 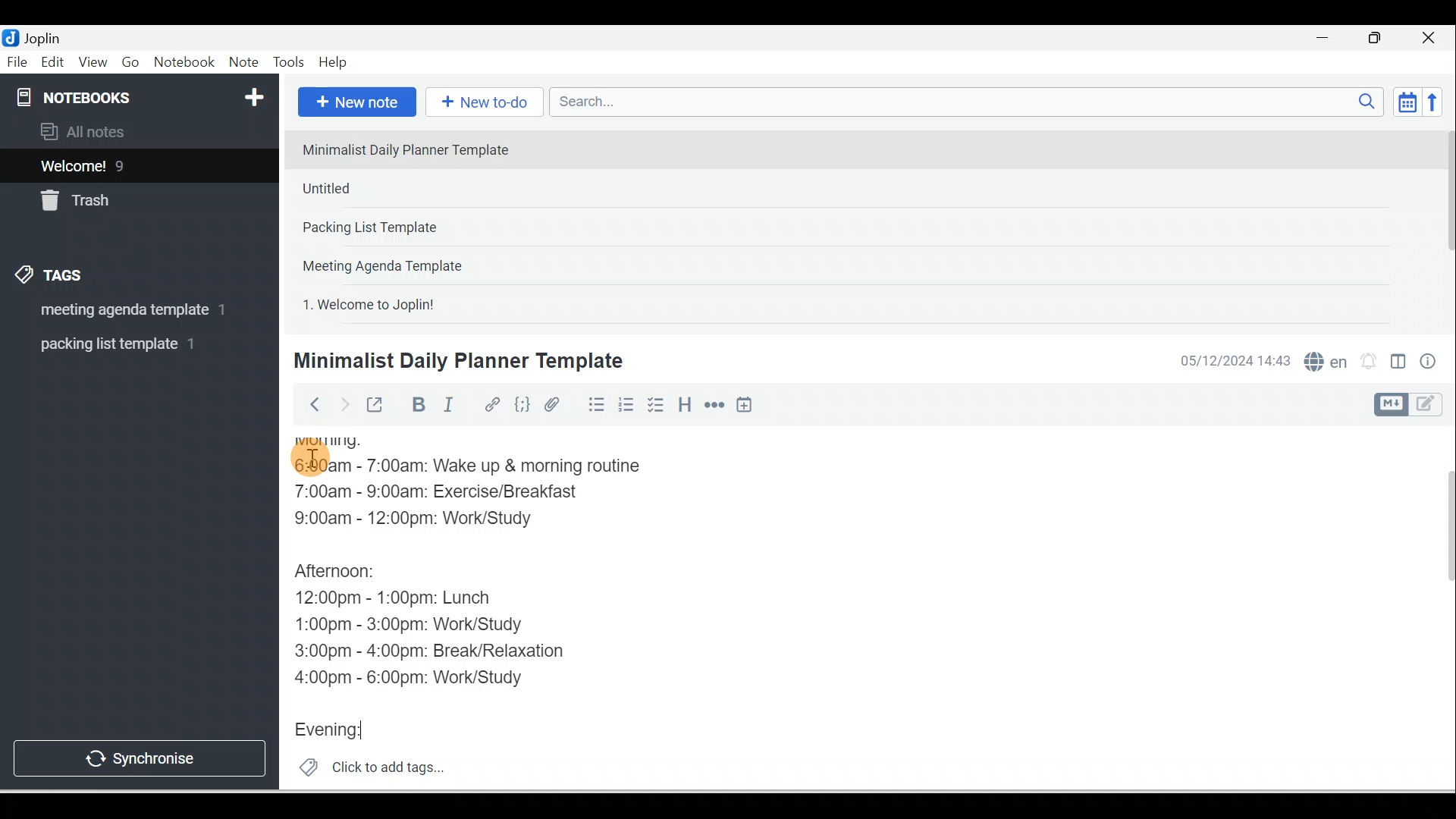 I want to click on Note, so click(x=242, y=63).